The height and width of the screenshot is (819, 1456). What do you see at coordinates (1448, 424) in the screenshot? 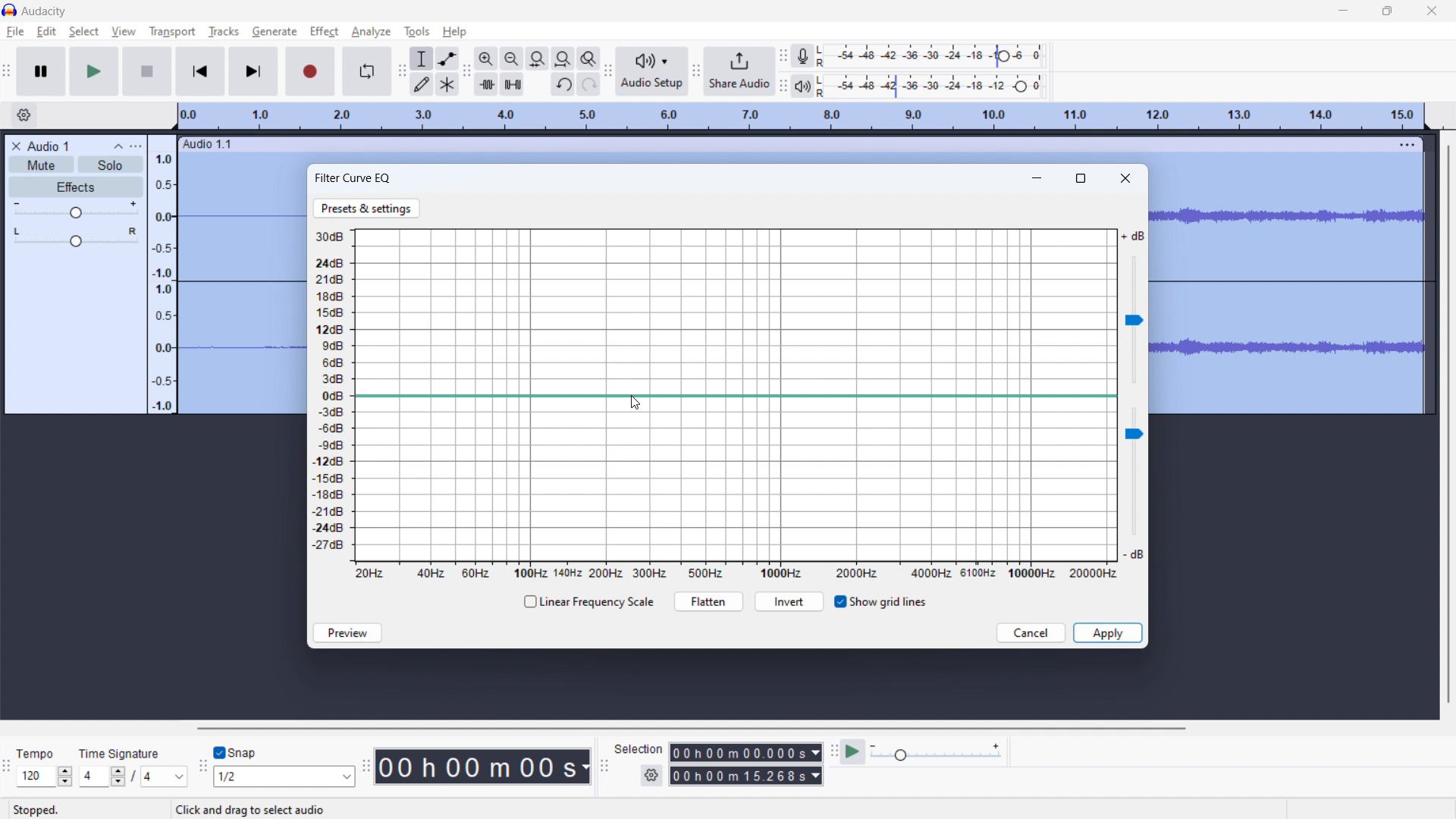
I see `vertical scrollbar` at bounding box center [1448, 424].